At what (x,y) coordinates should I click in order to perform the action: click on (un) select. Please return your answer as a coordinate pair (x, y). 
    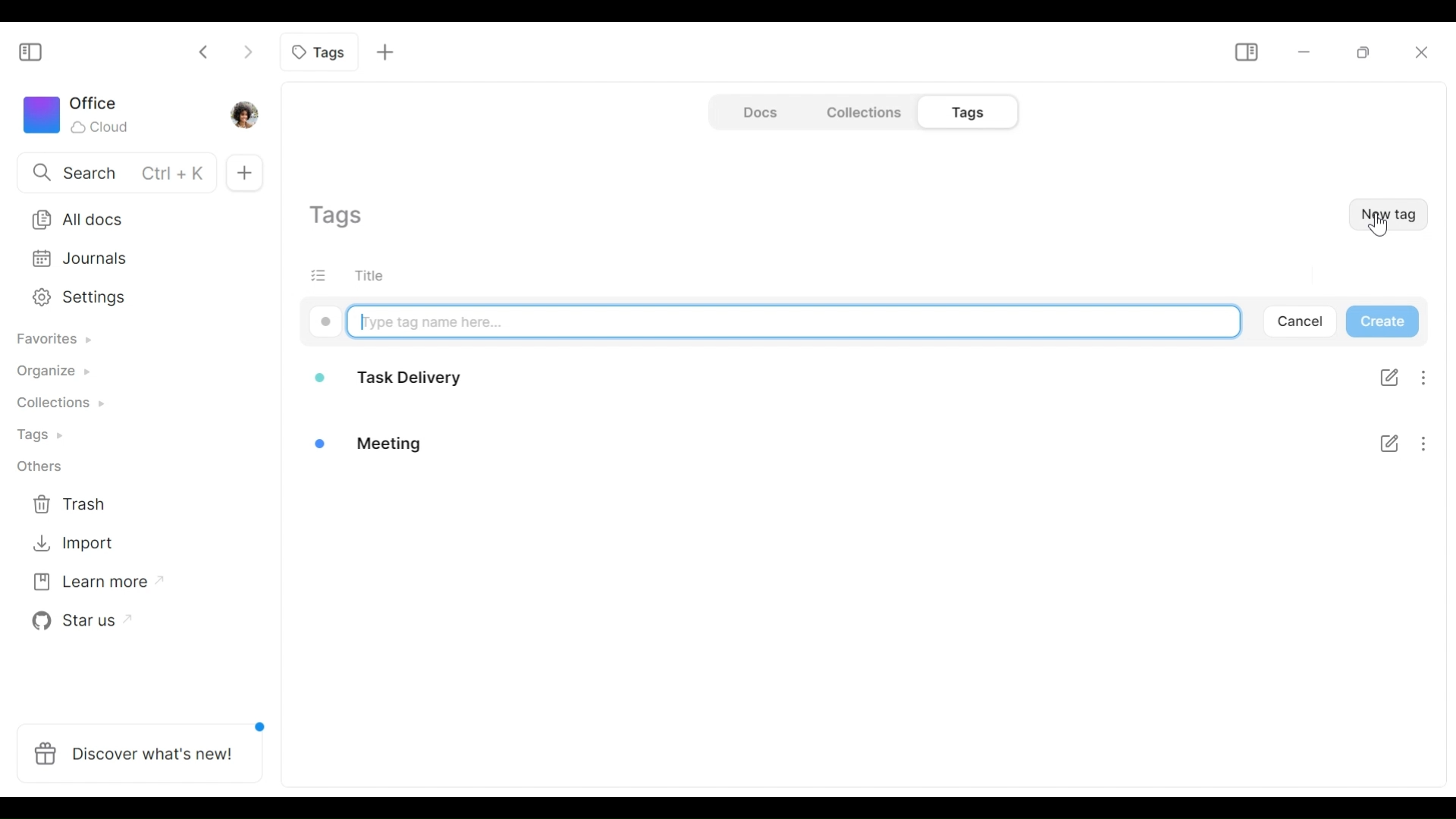
    Looking at the image, I should click on (324, 275).